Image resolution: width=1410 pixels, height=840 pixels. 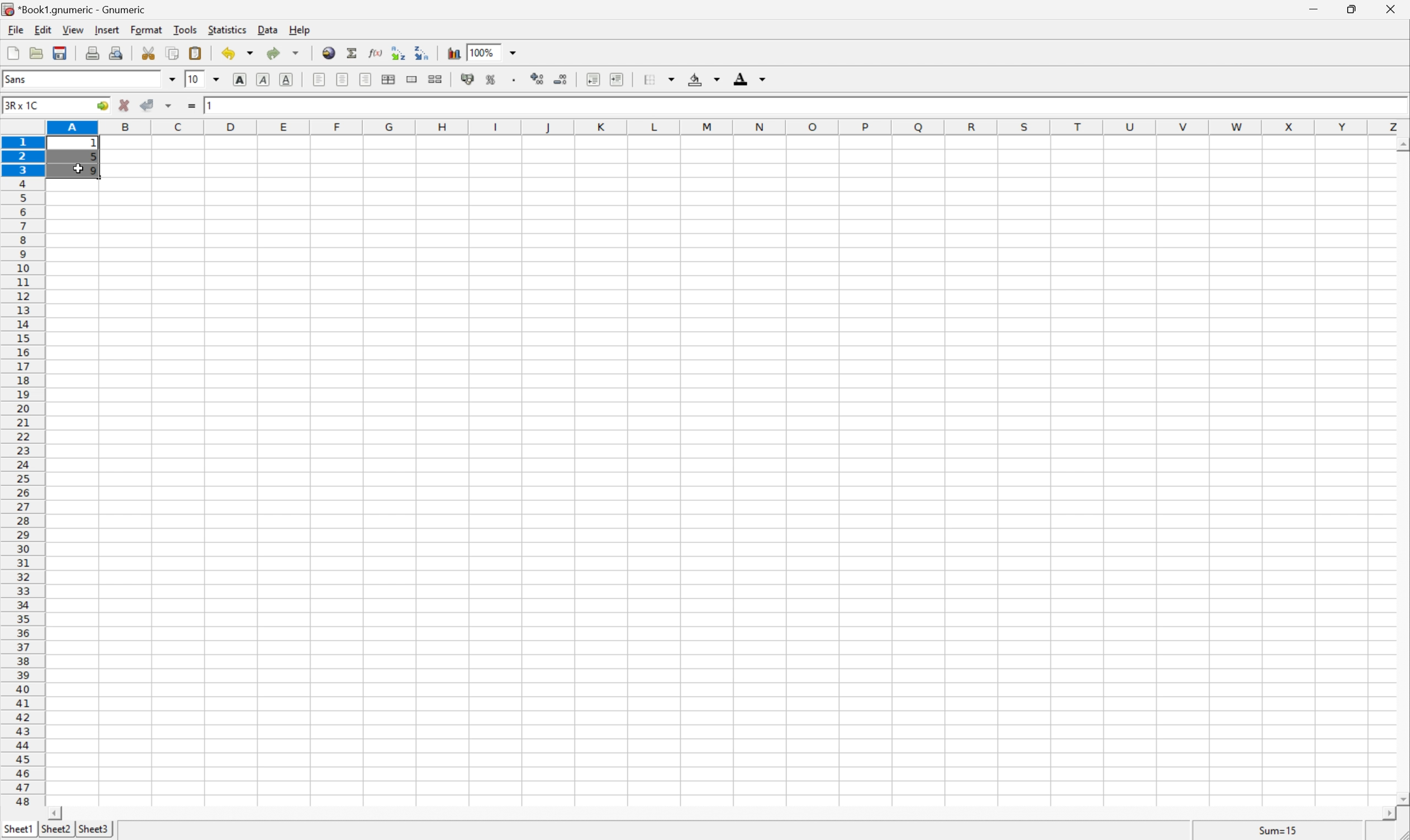 What do you see at coordinates (399, 52) in the screenshot?
I see `Sort the selected region in ascending order based on the first column selected` at bounding box center [399, 52].